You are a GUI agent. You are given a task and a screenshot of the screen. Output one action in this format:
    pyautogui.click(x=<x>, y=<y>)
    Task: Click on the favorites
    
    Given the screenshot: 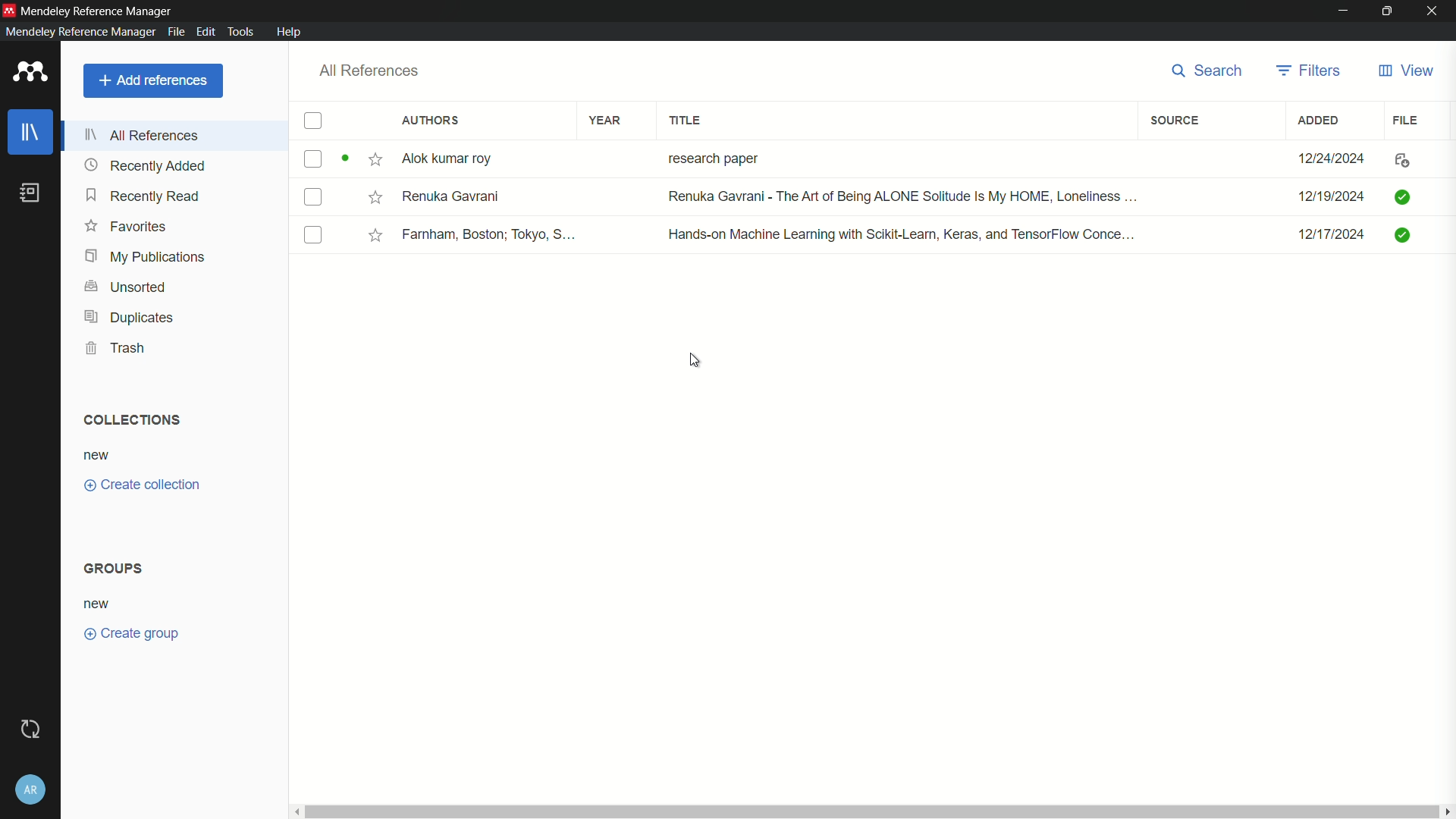 What is the action you would take?
    pyautogui.click(x=129, y=227)
    